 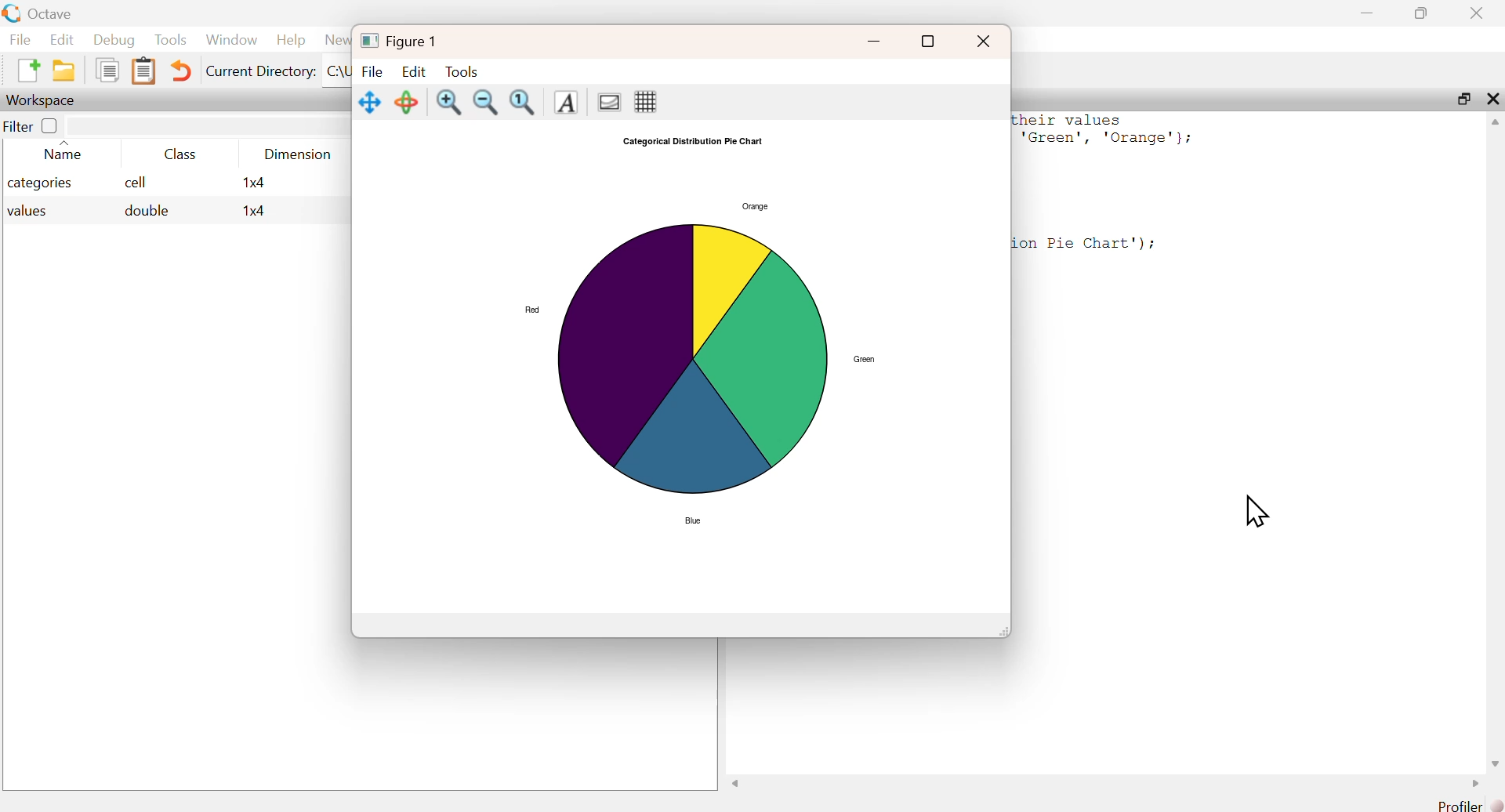 What do you see at coordinates (485, 103) in the screenshot?
I see `zoom out` at bounding box center [485, 103].